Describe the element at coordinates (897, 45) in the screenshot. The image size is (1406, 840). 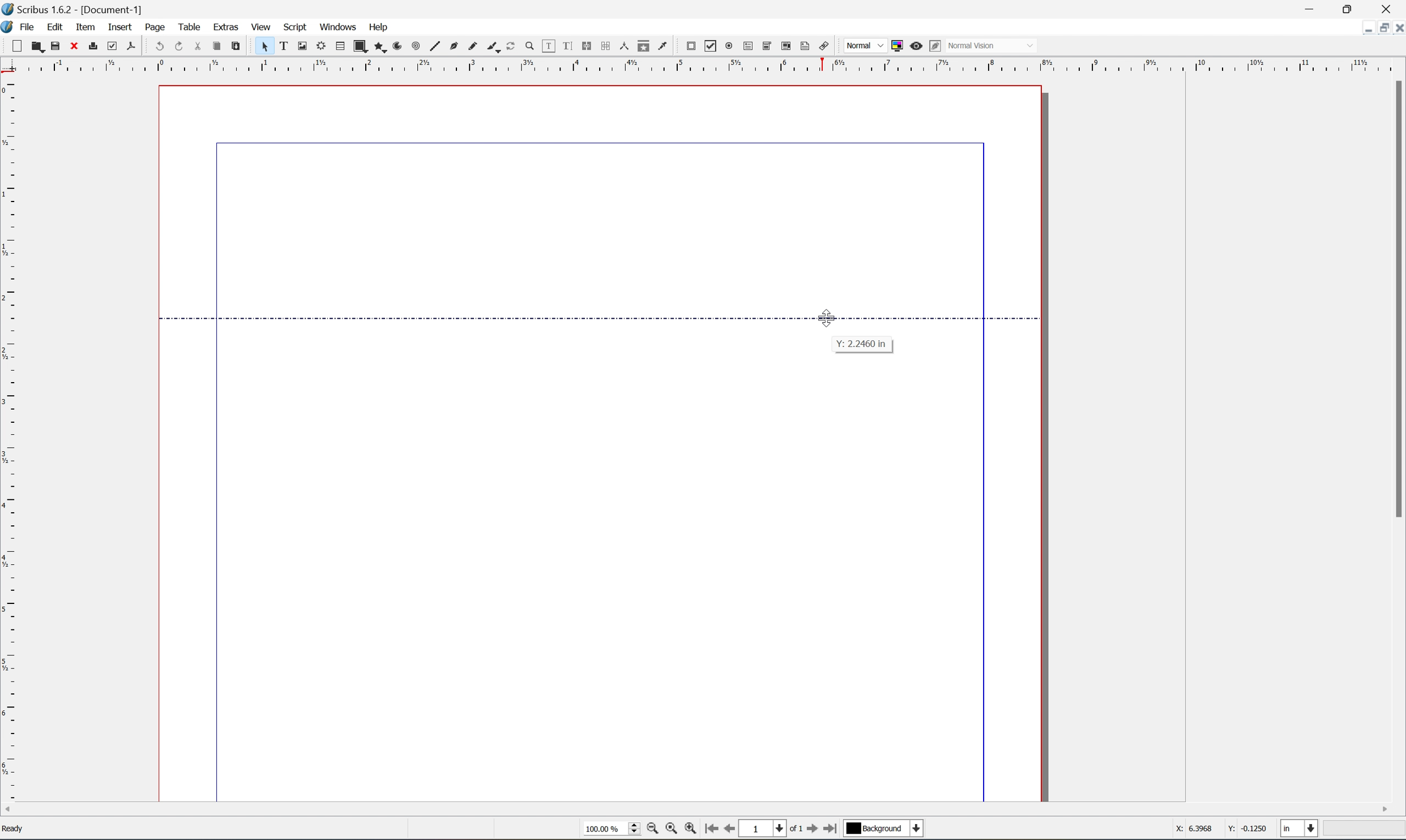
I see `toggle color management system` at that location.